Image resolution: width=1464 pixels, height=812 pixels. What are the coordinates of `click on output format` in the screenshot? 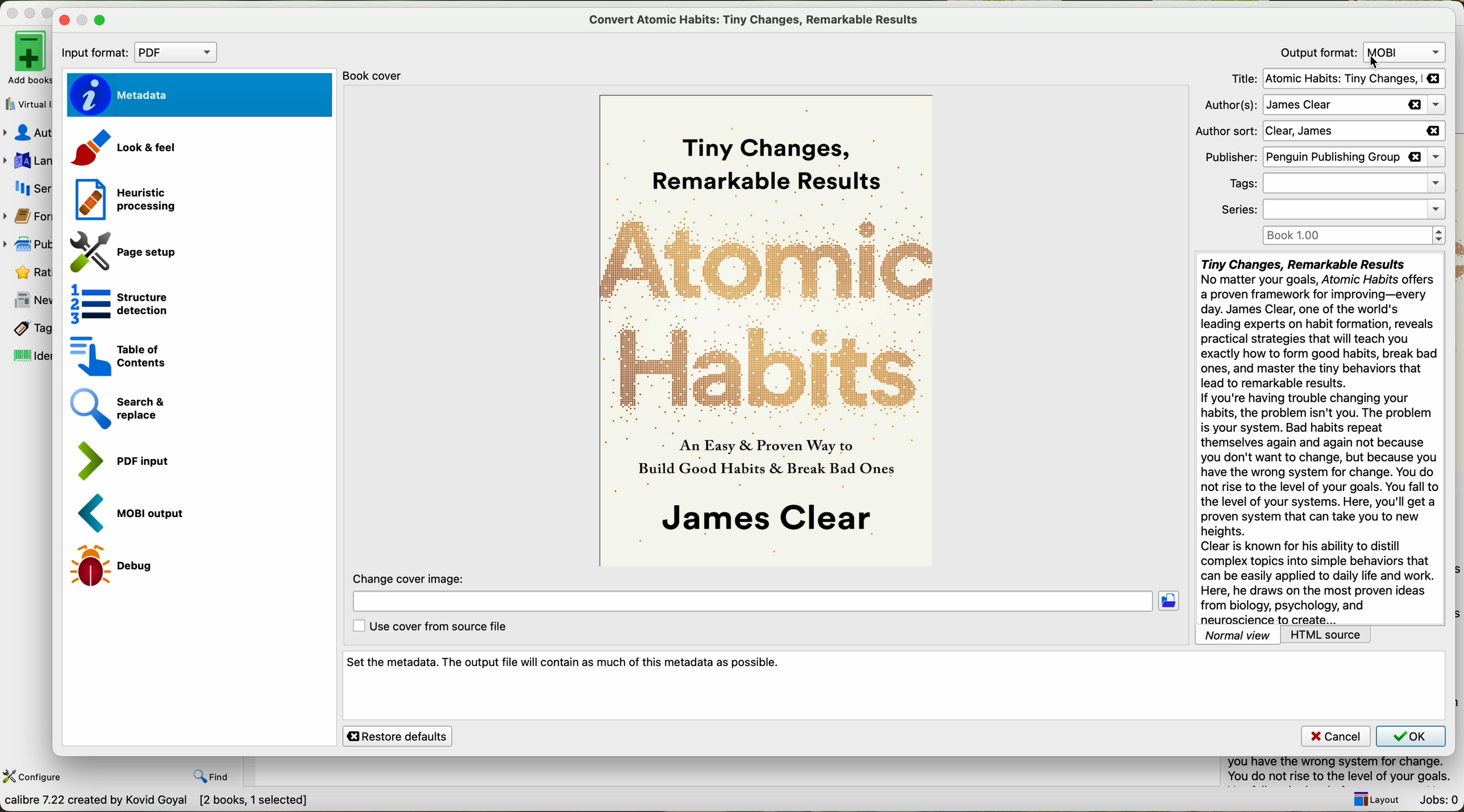 It's located at (1362, 52).